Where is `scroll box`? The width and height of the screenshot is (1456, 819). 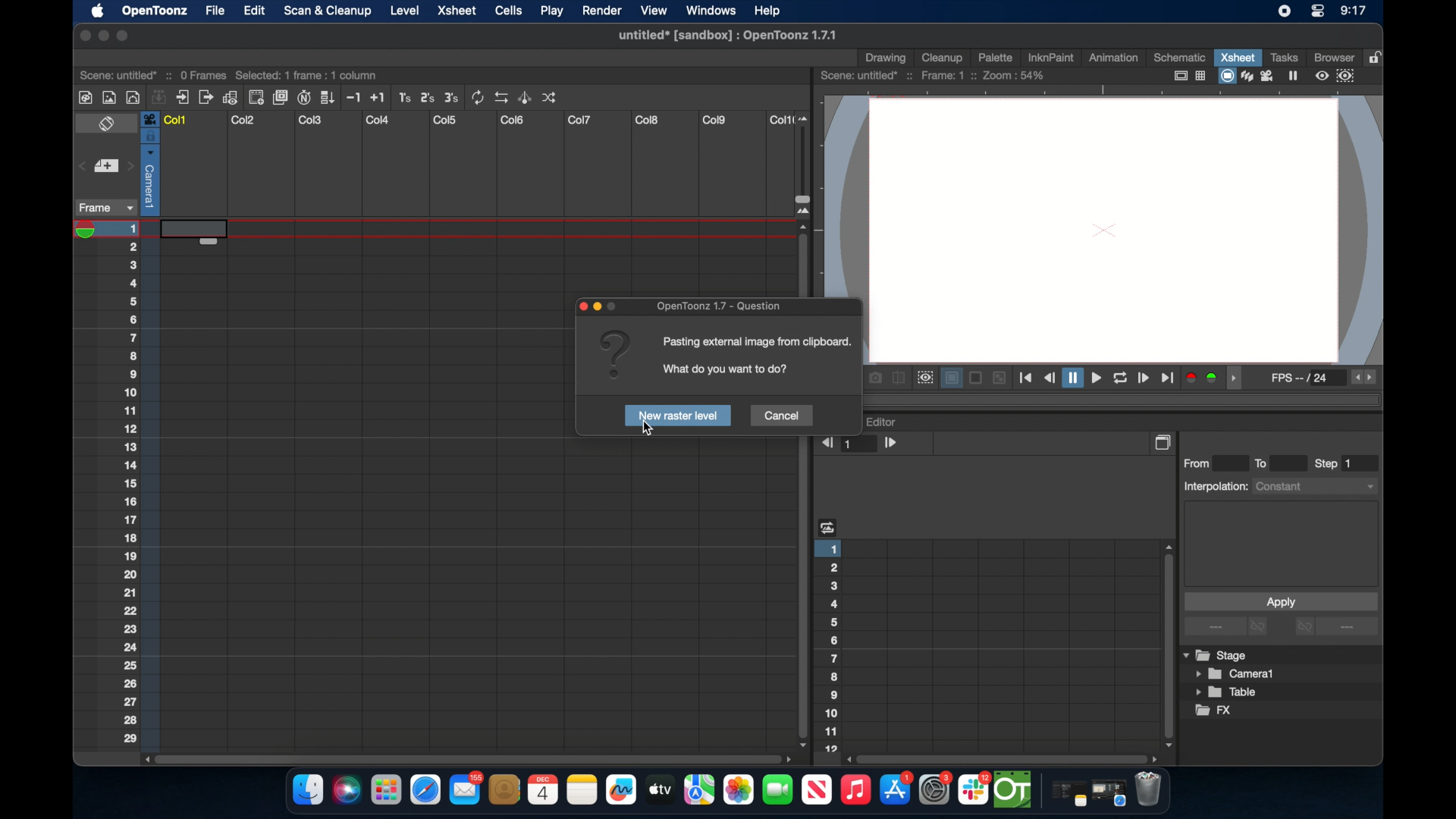
scroll box is located at coordinates (1166, 645).